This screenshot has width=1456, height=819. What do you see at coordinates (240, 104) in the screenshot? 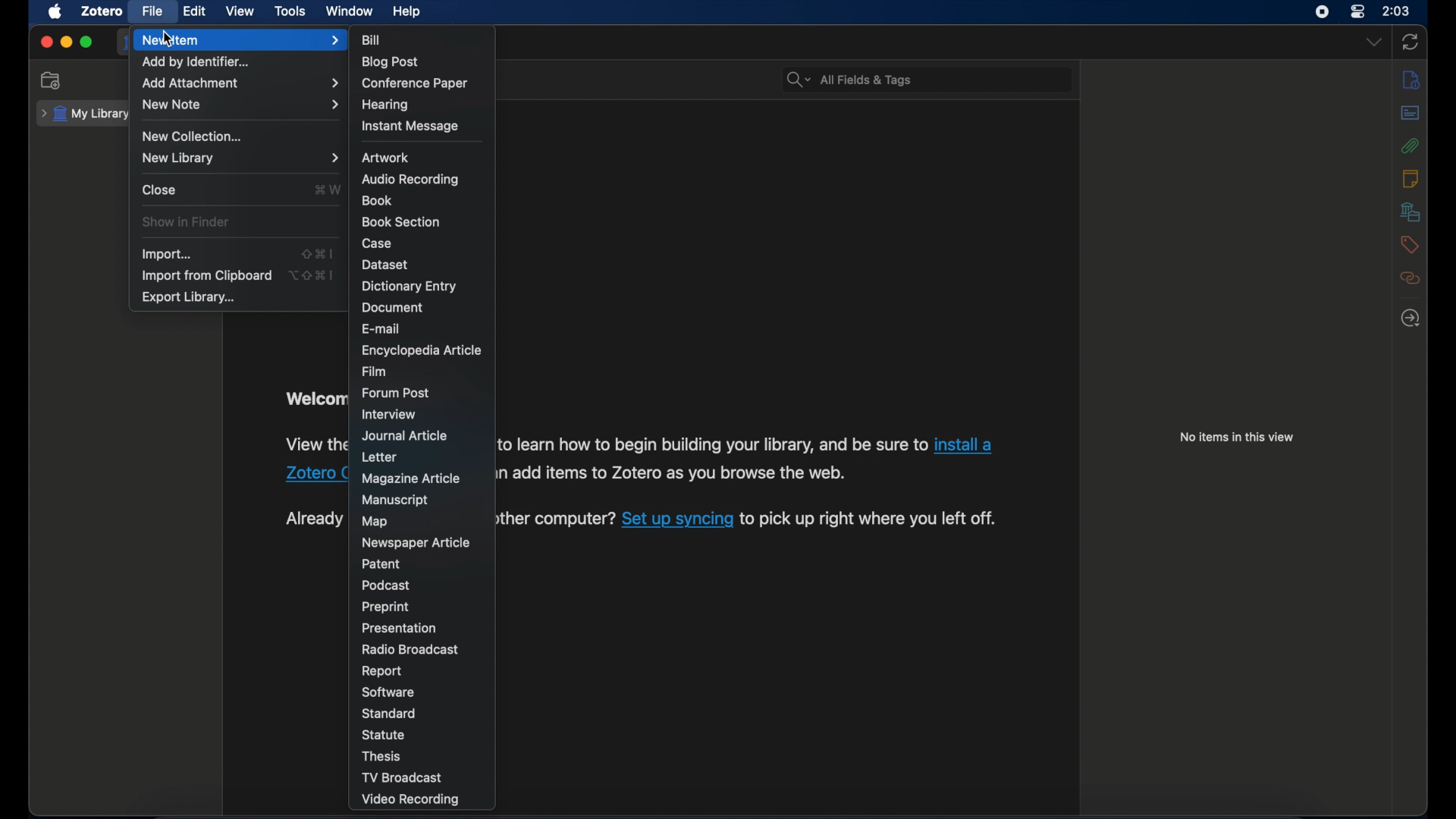
I see `new note` at bounding box center [240, 104].